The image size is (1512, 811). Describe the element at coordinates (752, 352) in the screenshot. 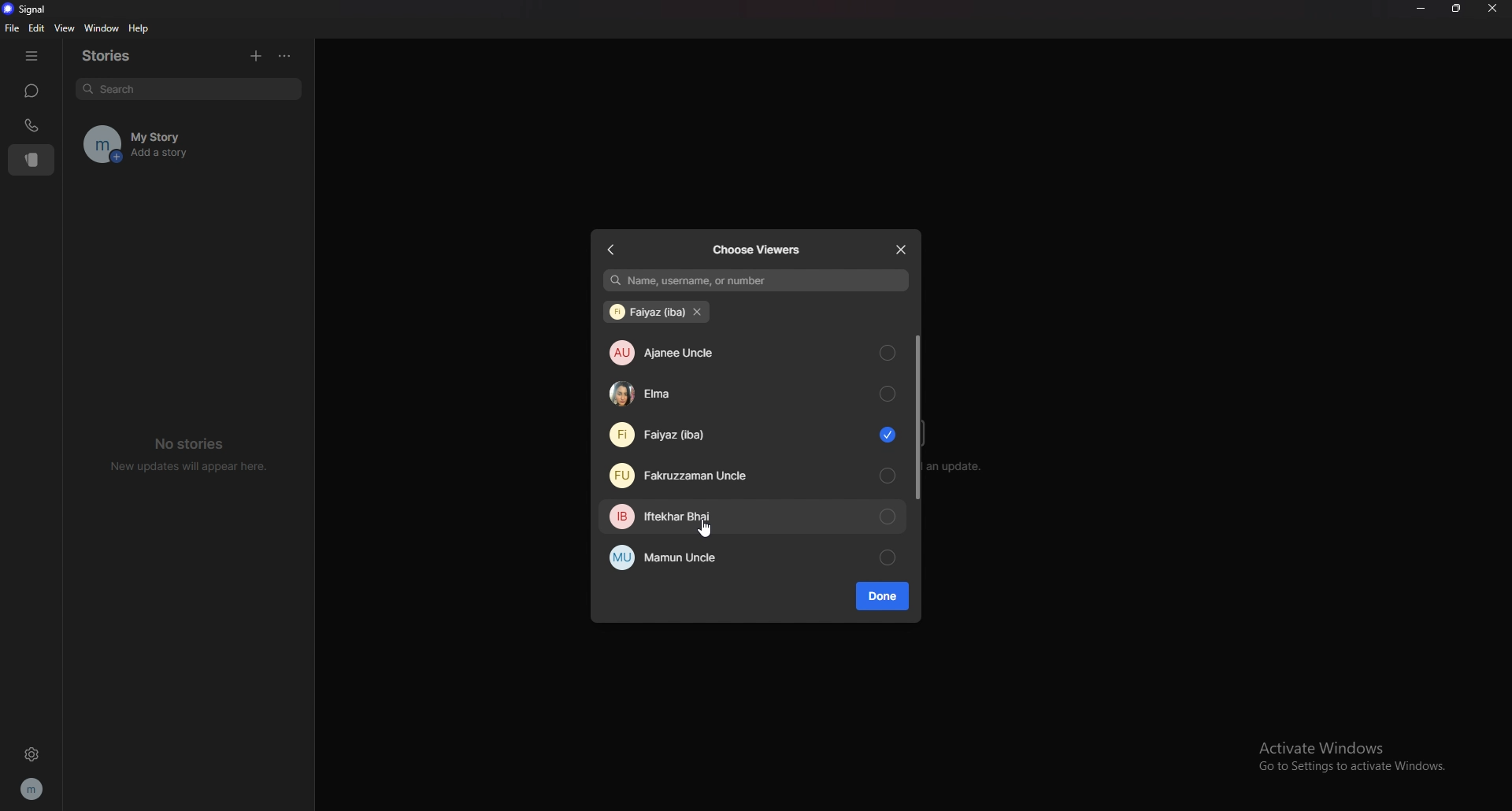

I see `ajanee uncle` at that location.